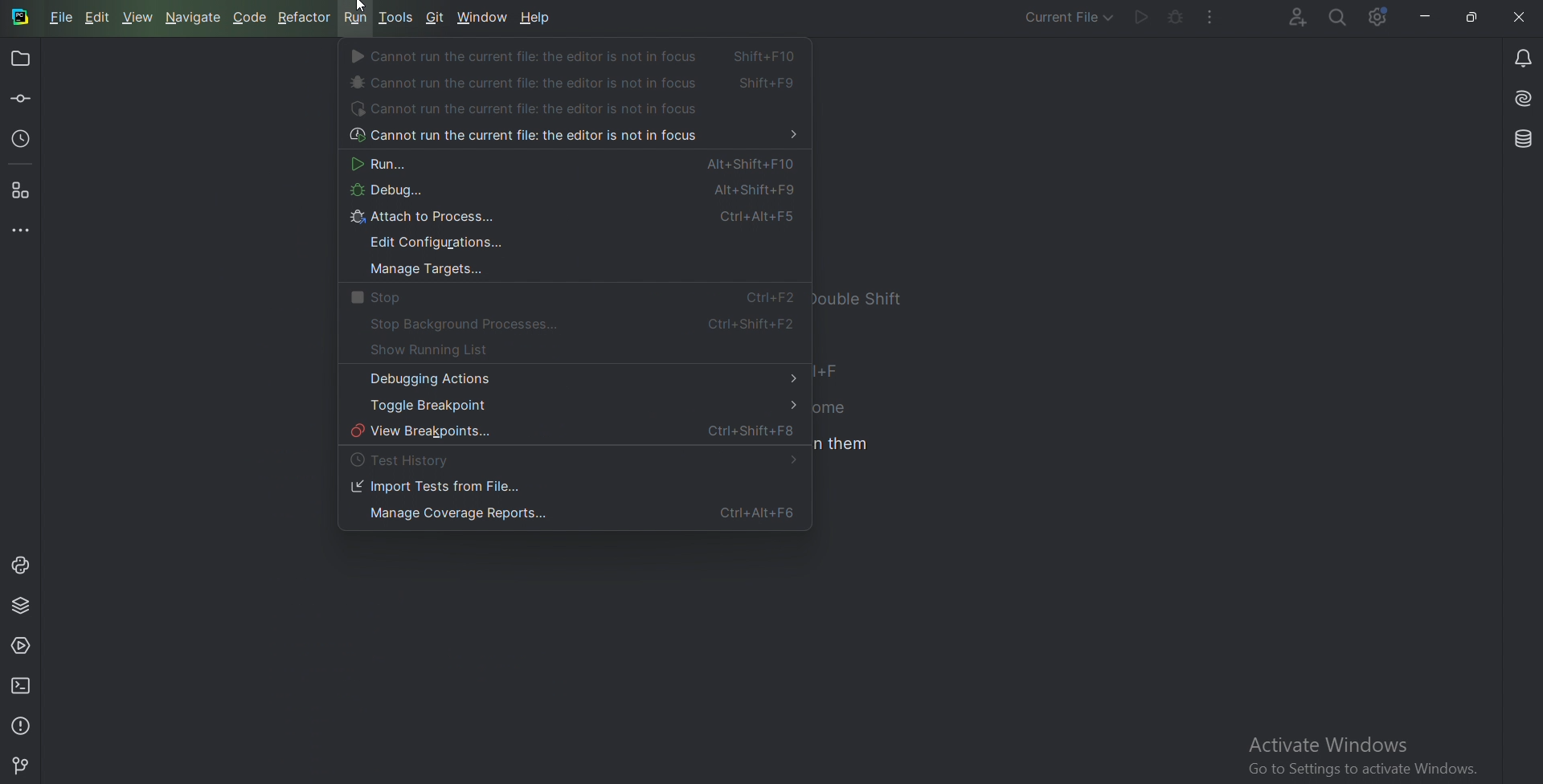 The height and width of the screenshot is (784, 1543). Describe the element at coordinates (579, 378) in the screenshot. I see `Debugging actions` at that location.